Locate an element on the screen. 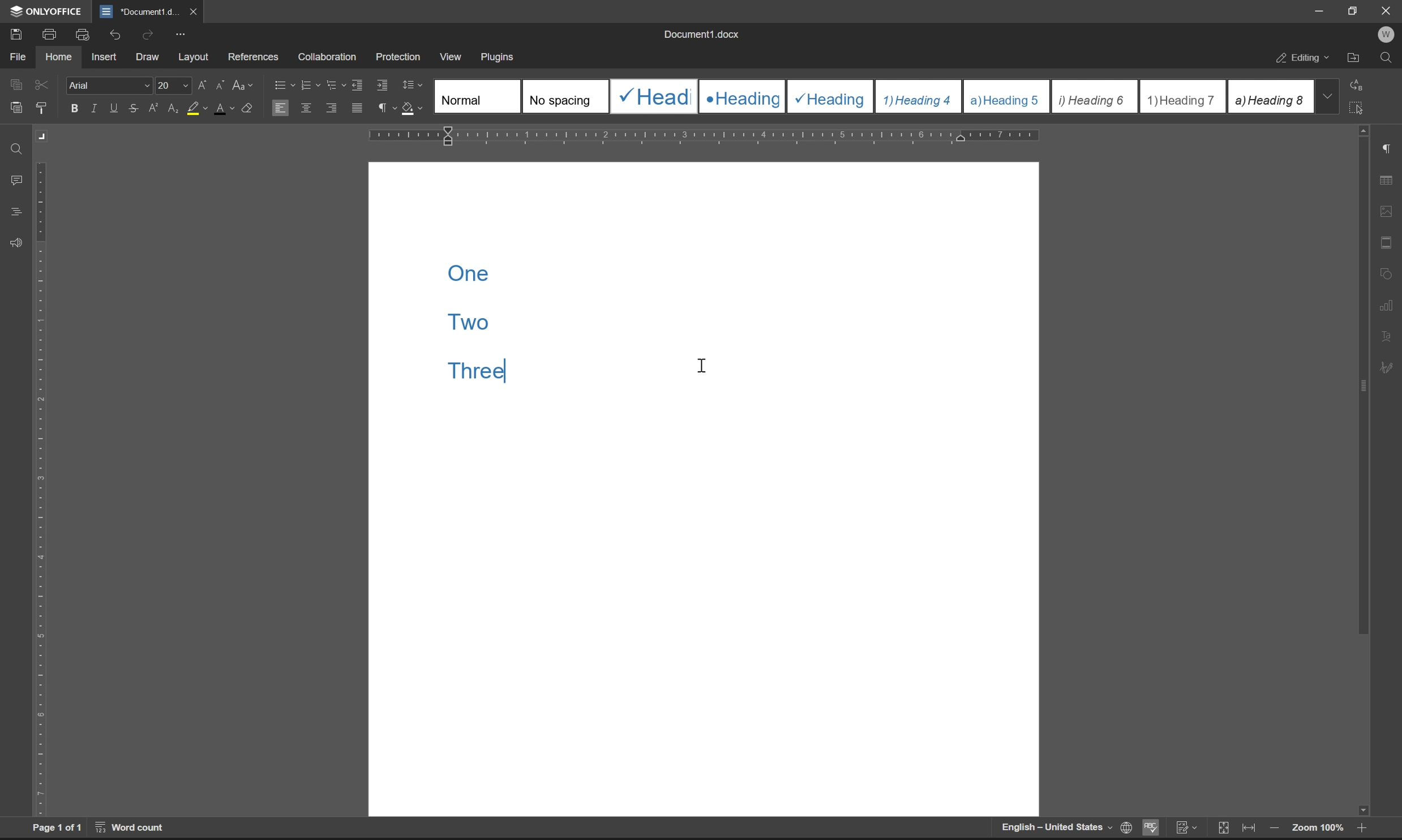 The height and width of the screenshot is (840, 1402). comments is located at coordinates (19, 181).